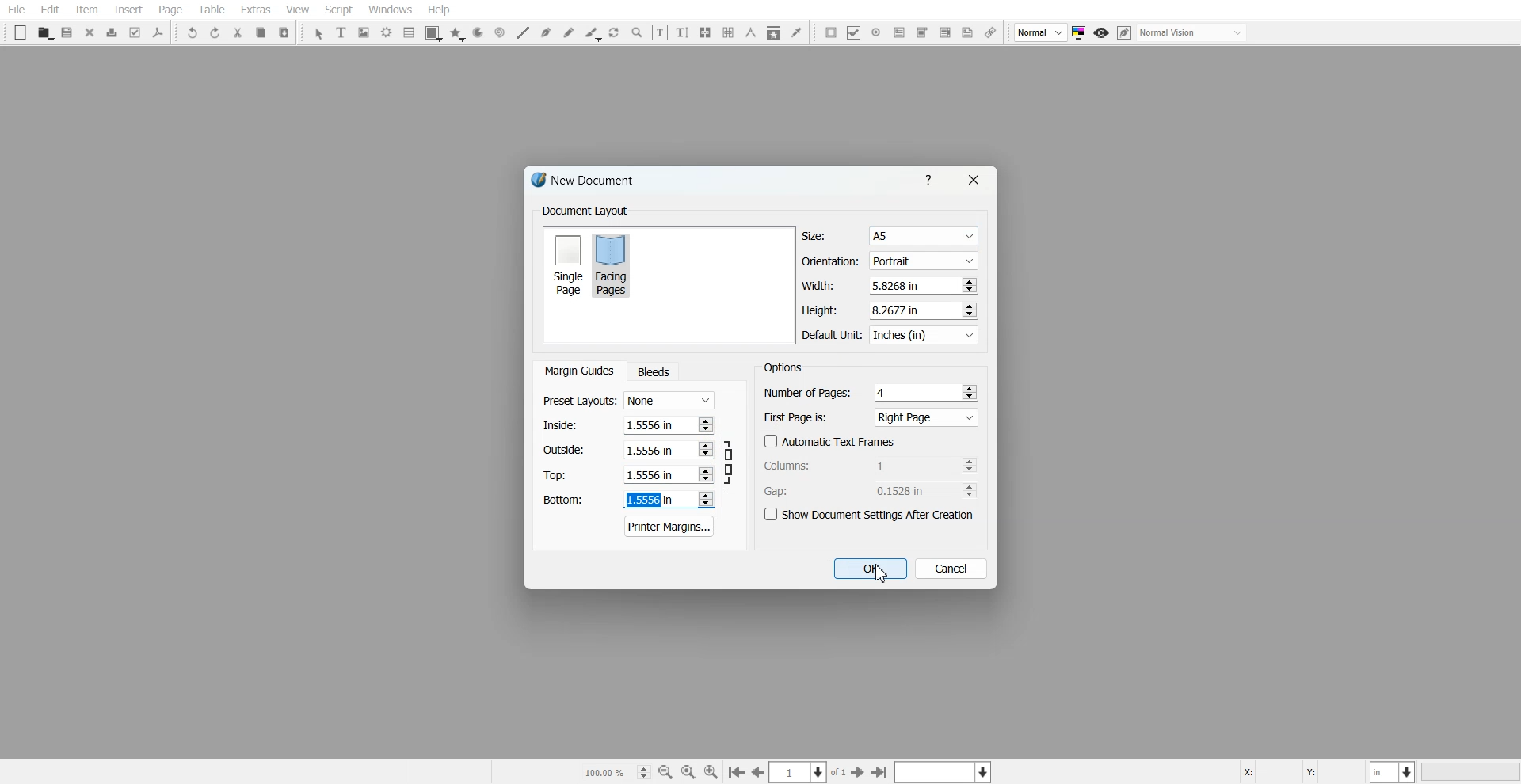 The height and width of the screenshot is (784, 1521). What do you see at coordinates (637, 32) in the screenshot?
I see `Zoom in or Out` at bounding box center [637, 32].